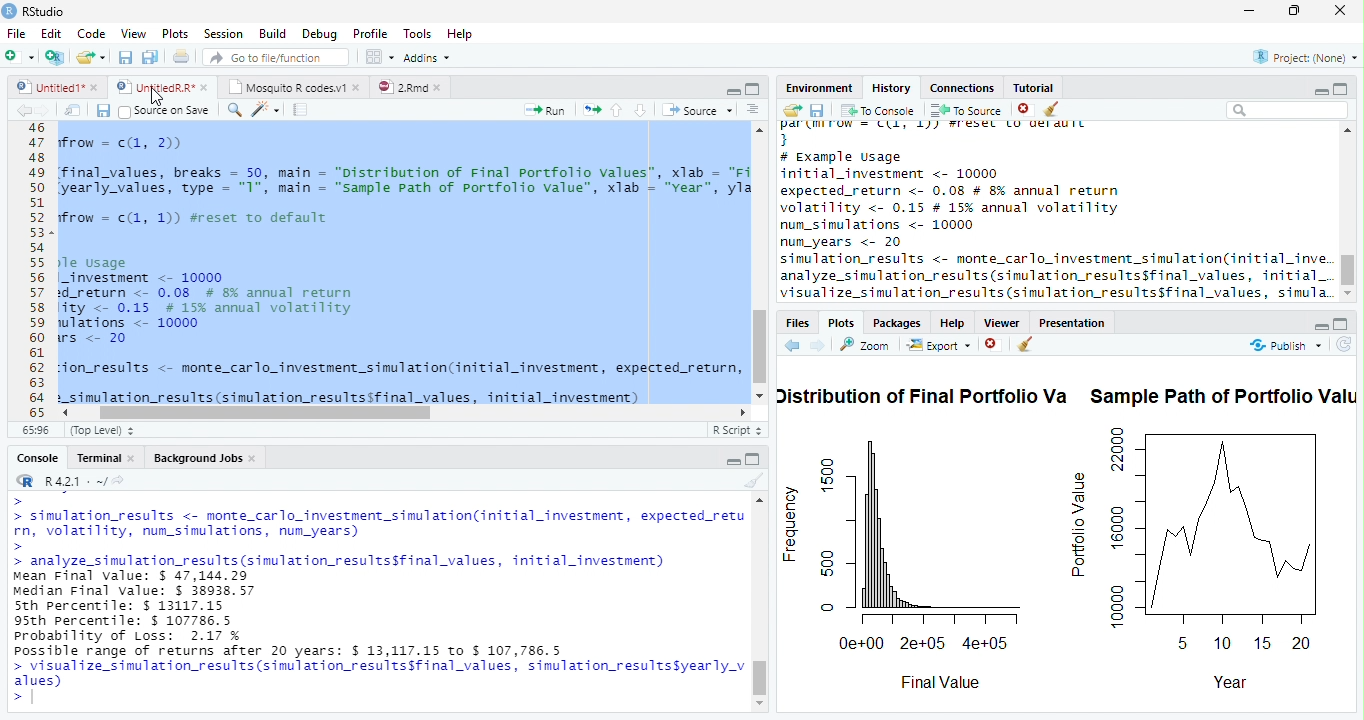 This screenshot has height=720, width=1364. I want to click on File, so click(15, 33).